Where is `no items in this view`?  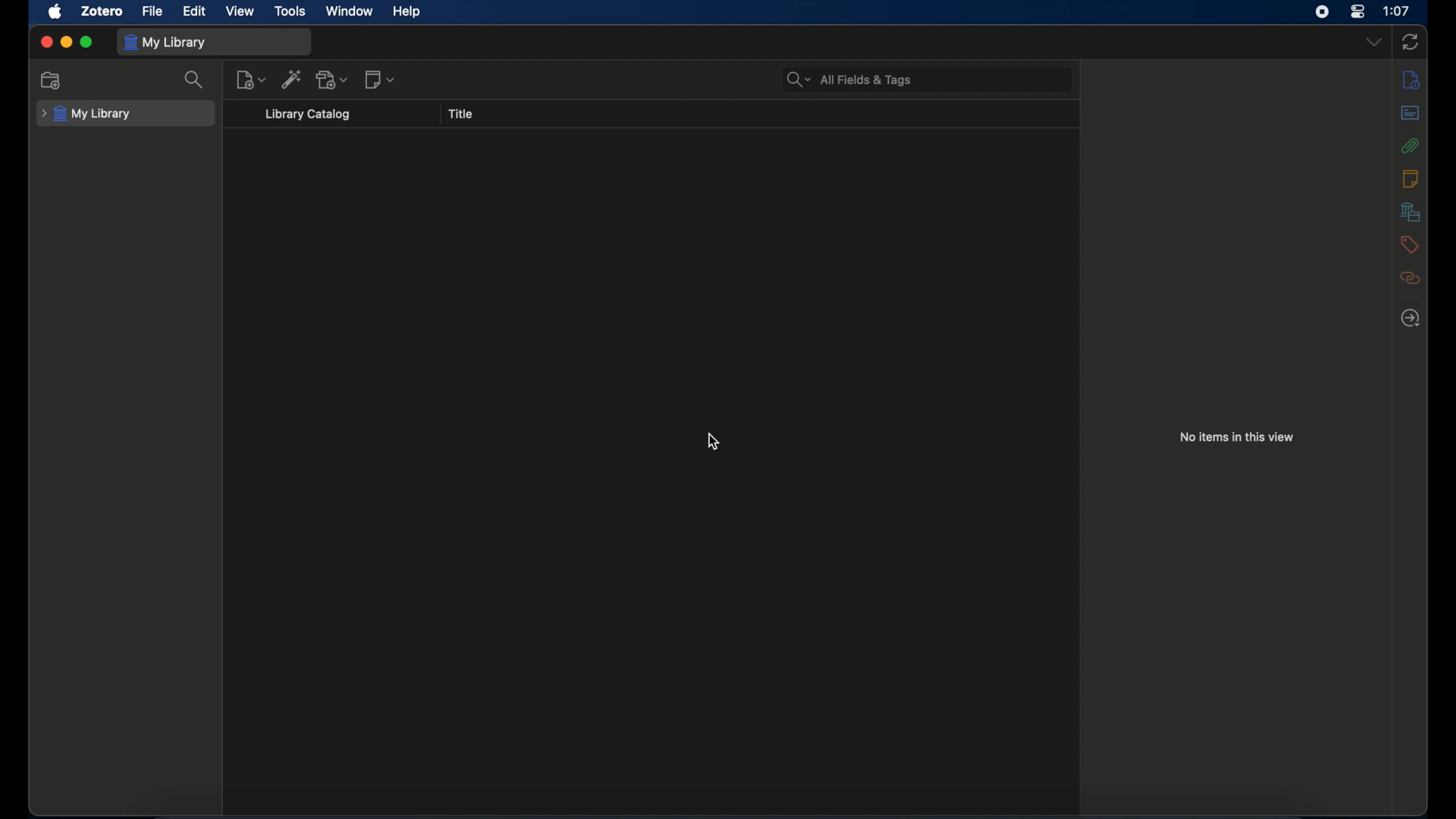 no items in this view is located at coordinates (1237, 437).